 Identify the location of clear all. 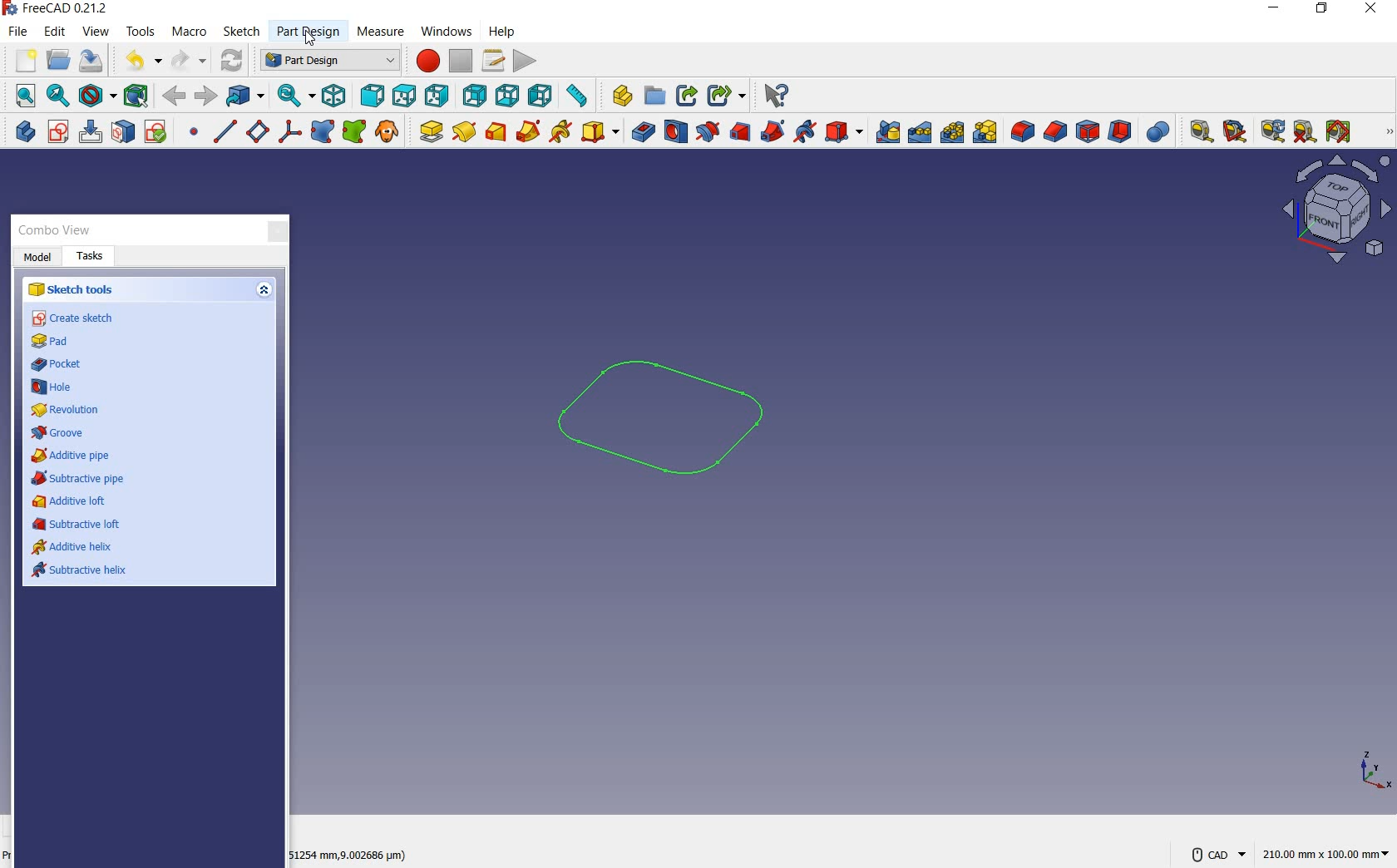
(1306, 133).